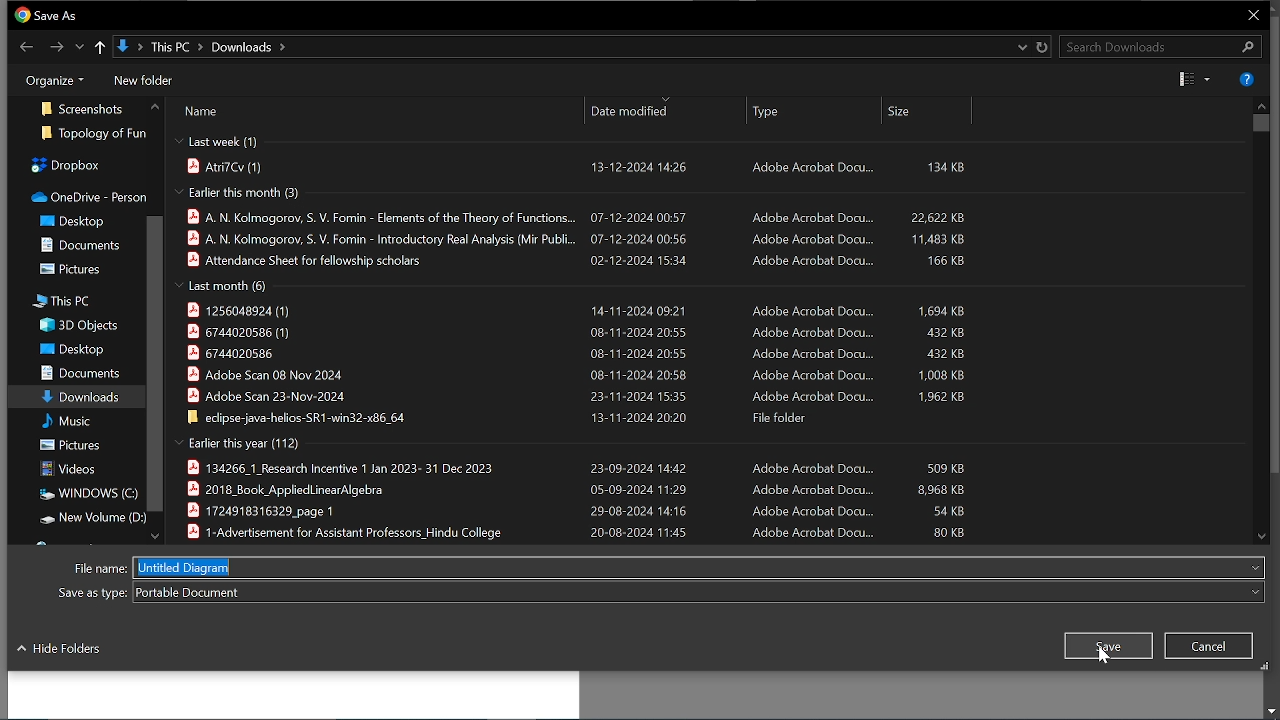 The height and width of the screenshot is (720, 1280). I want to click on new volume, so click(88, 519).